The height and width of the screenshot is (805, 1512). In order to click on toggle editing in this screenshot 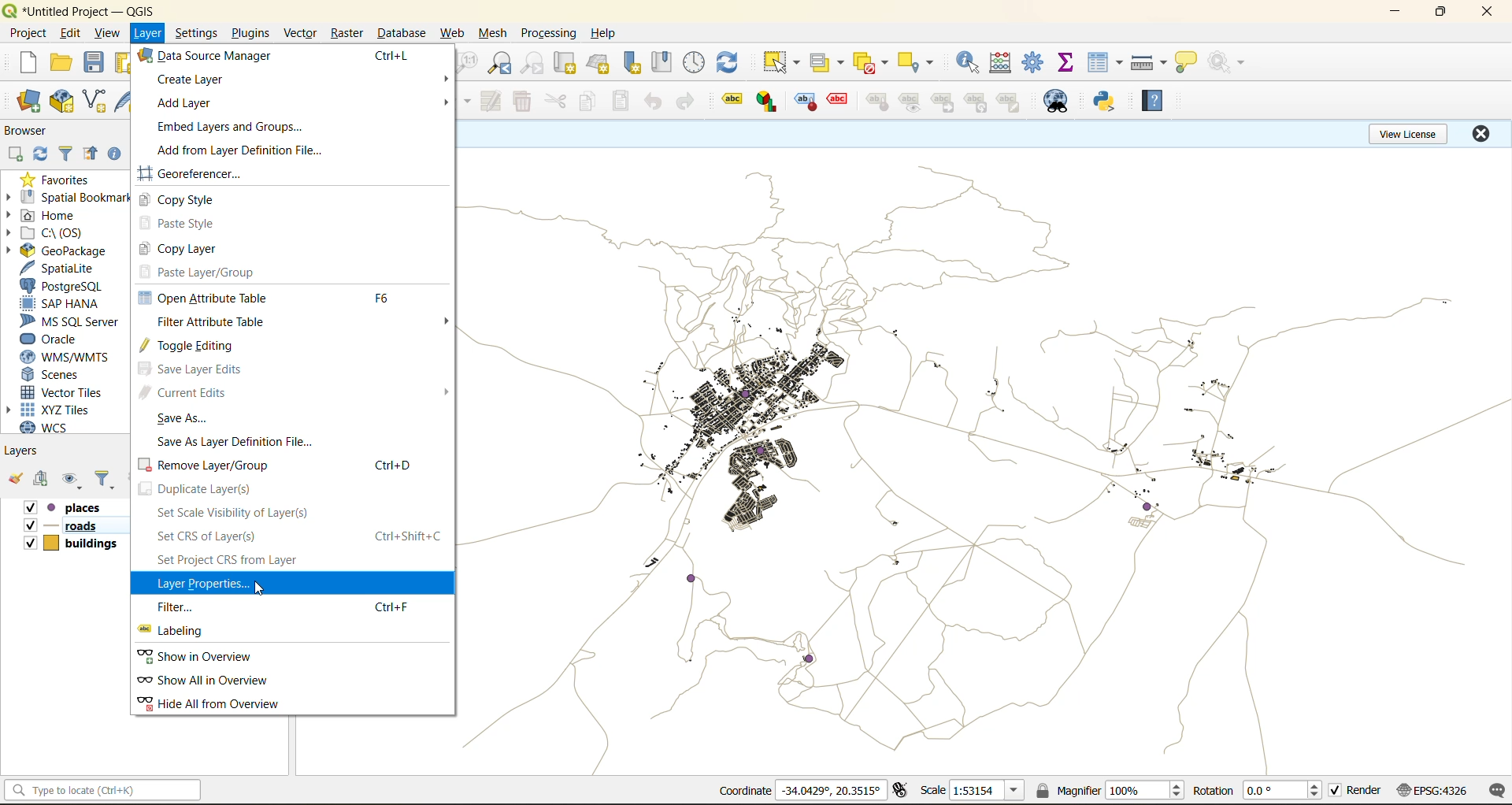, I will do `click(200, 347)`.